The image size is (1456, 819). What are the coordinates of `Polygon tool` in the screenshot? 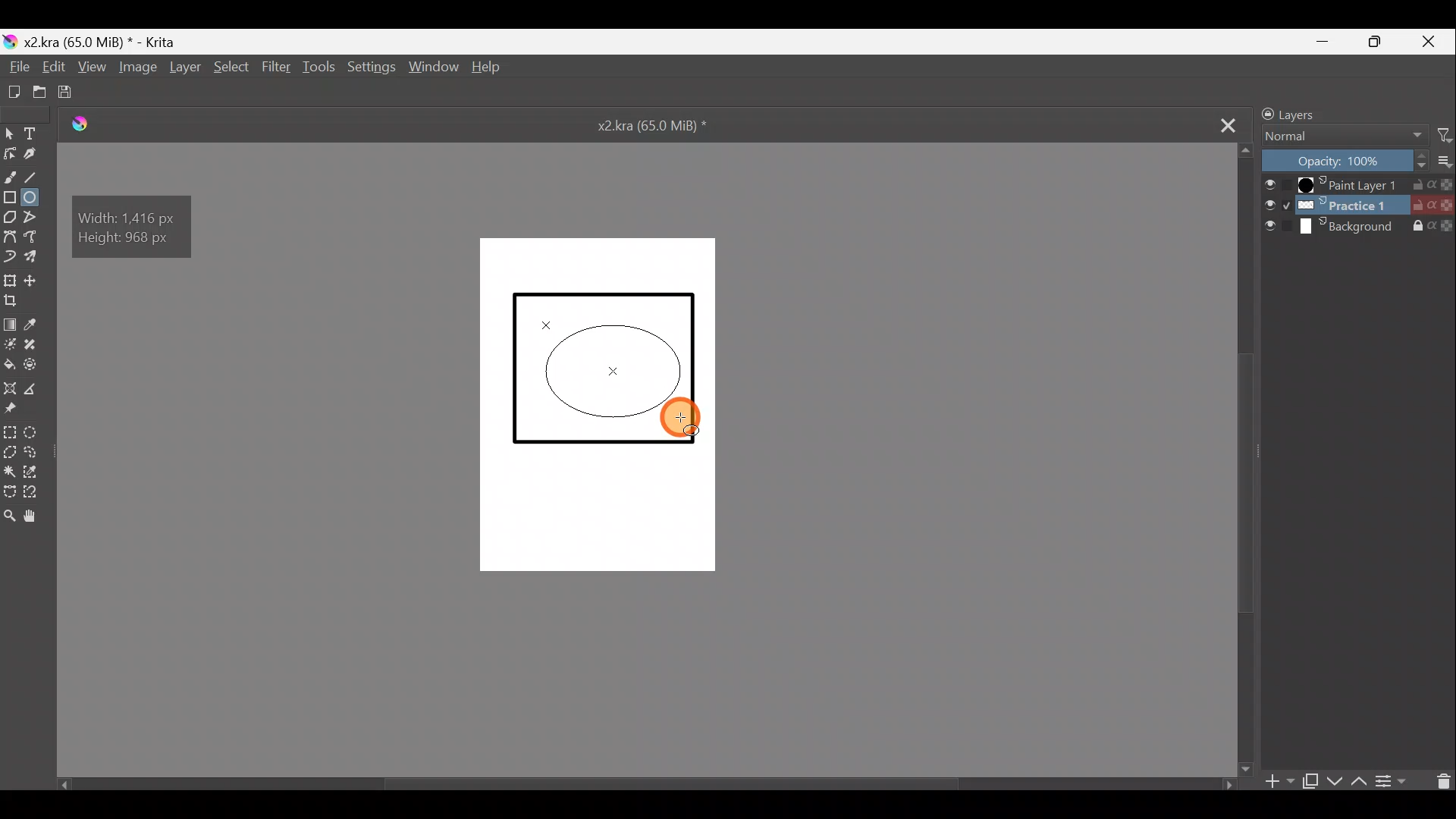 It's located at (9, 216).